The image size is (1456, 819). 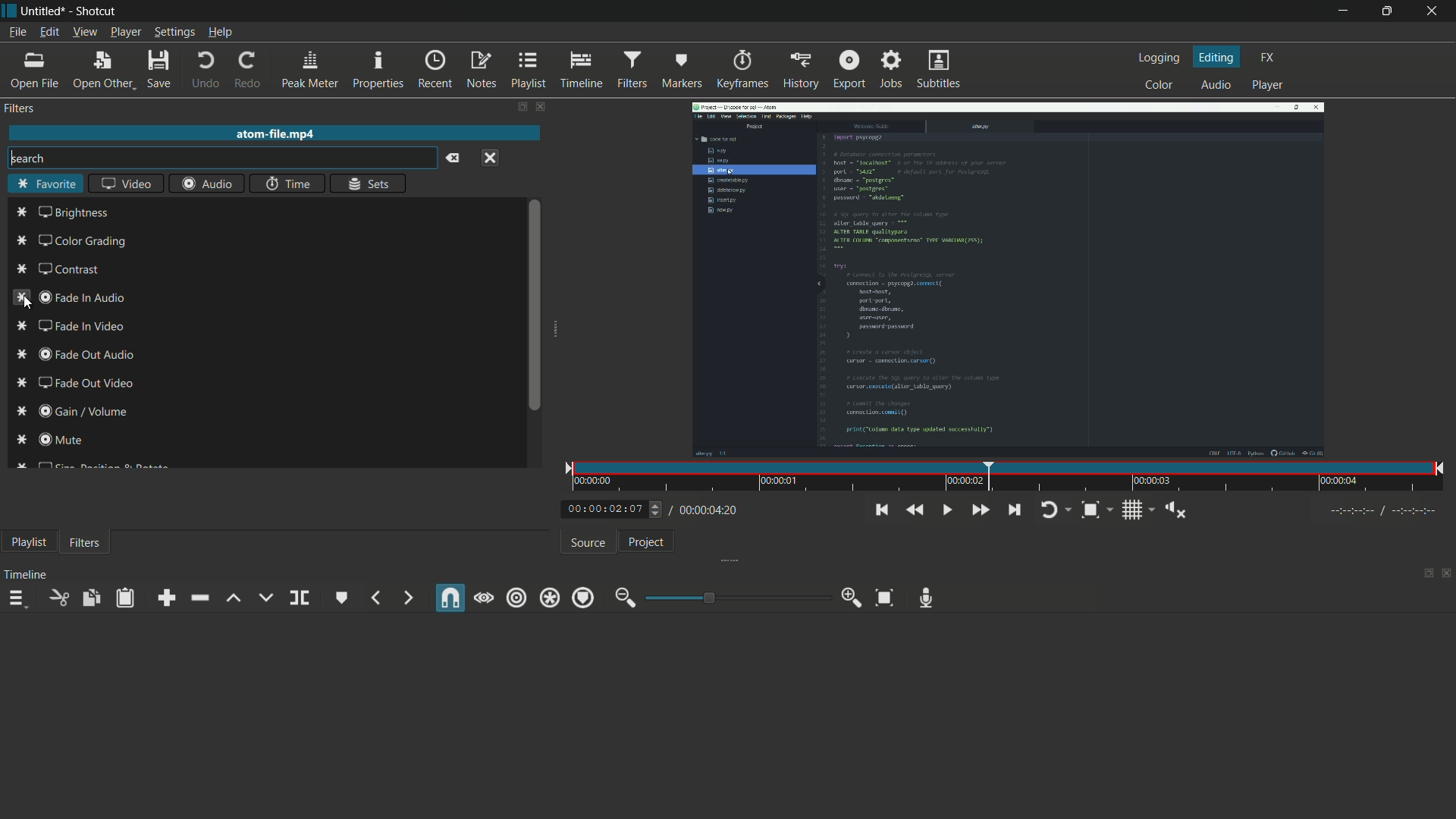 I want to click on logging, so click(x=1161, y=57).